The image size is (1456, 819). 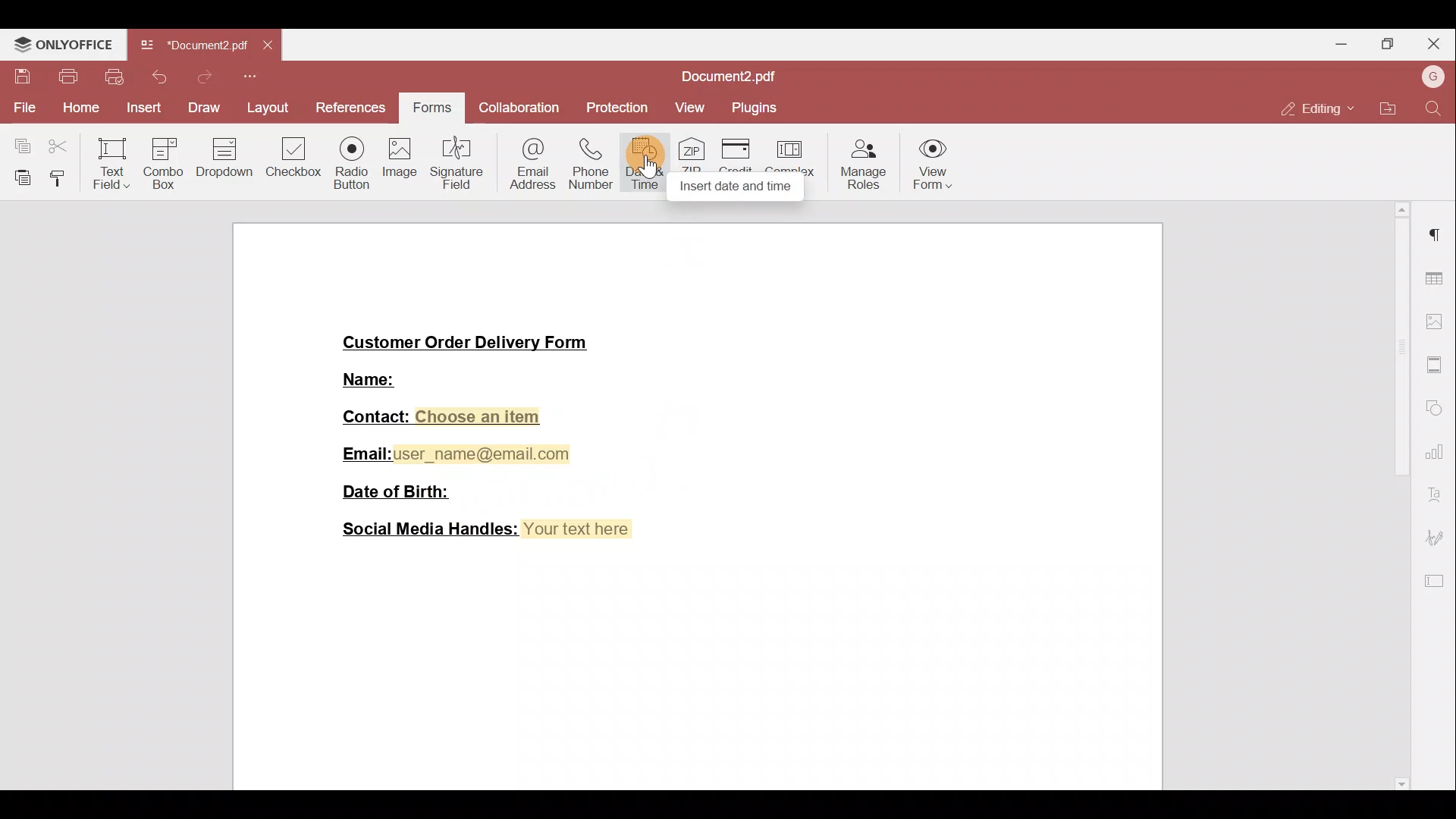 I want to click on Email:user_name@email.com, so click(x=458, y=454).